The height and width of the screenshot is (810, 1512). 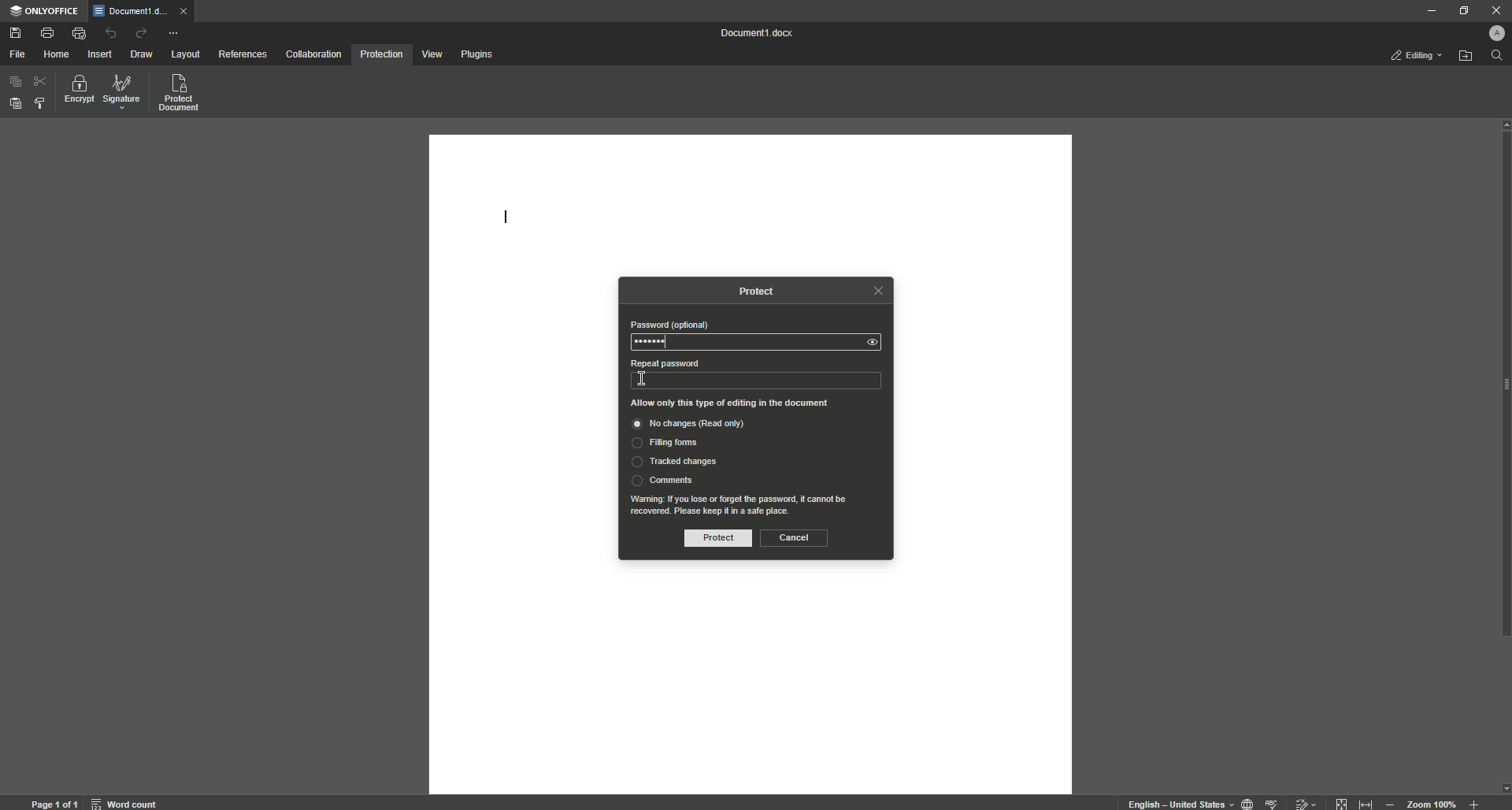 I want to click on text, so click(x=744, y=504).